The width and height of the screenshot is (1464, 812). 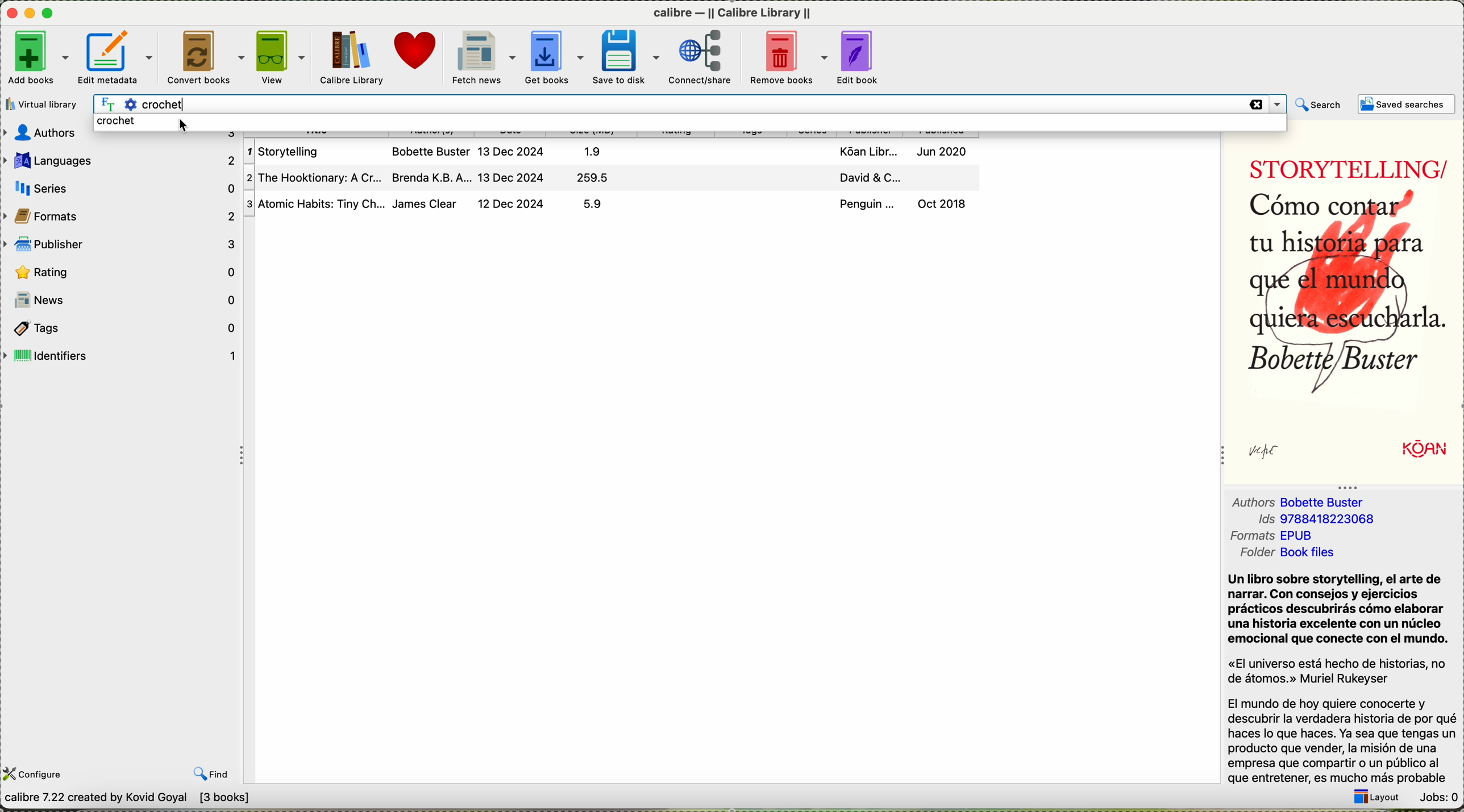 What do you see at coordinates (122, 244) in the screenshot?
I see `publisher` at bounding box center [122, 244].